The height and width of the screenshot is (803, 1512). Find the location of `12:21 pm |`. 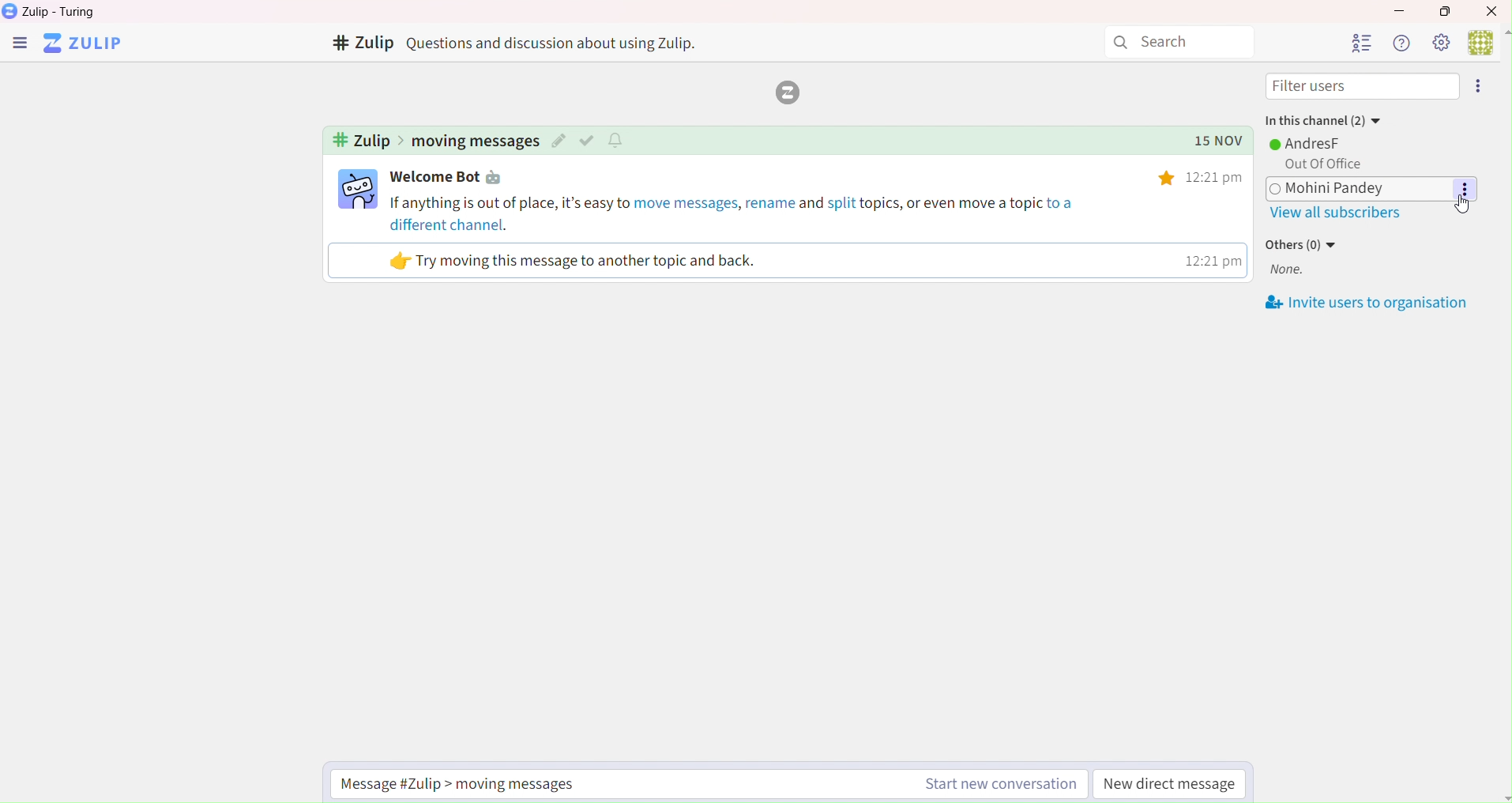

12:21 pm | is located at coordinates (1211, 260).